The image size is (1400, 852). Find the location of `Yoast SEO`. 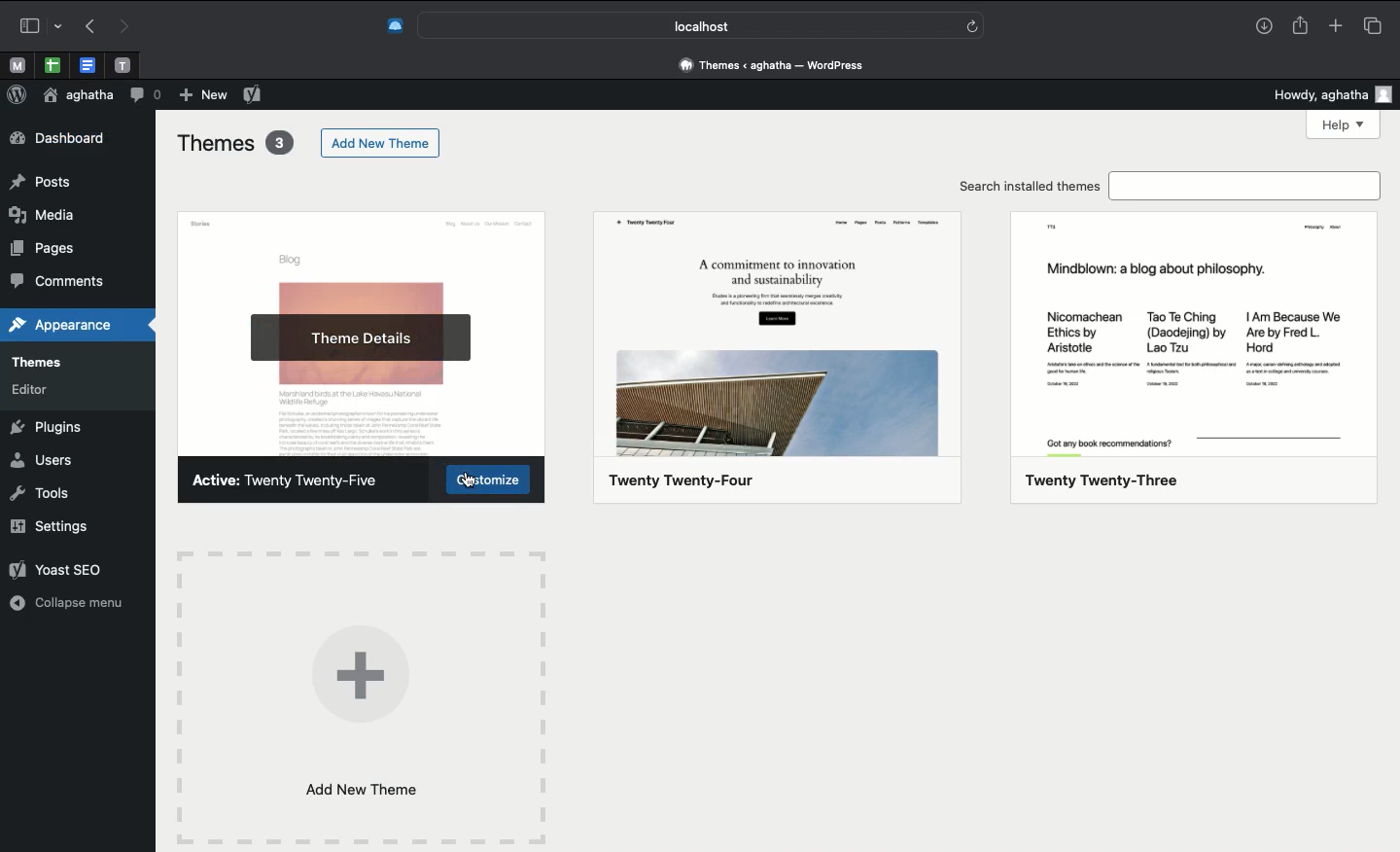

Yoast SEO is located at coordinates (252, 93).